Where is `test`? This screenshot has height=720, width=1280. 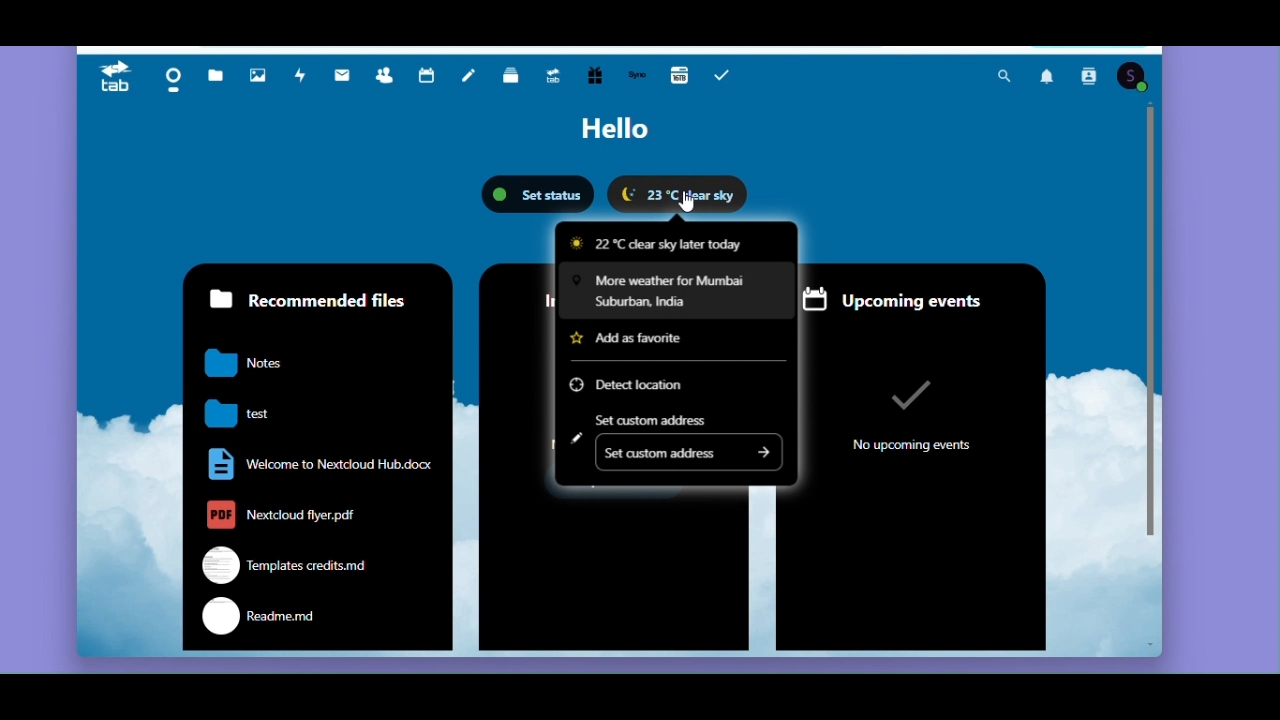 test is located at coordinates (234, 414).